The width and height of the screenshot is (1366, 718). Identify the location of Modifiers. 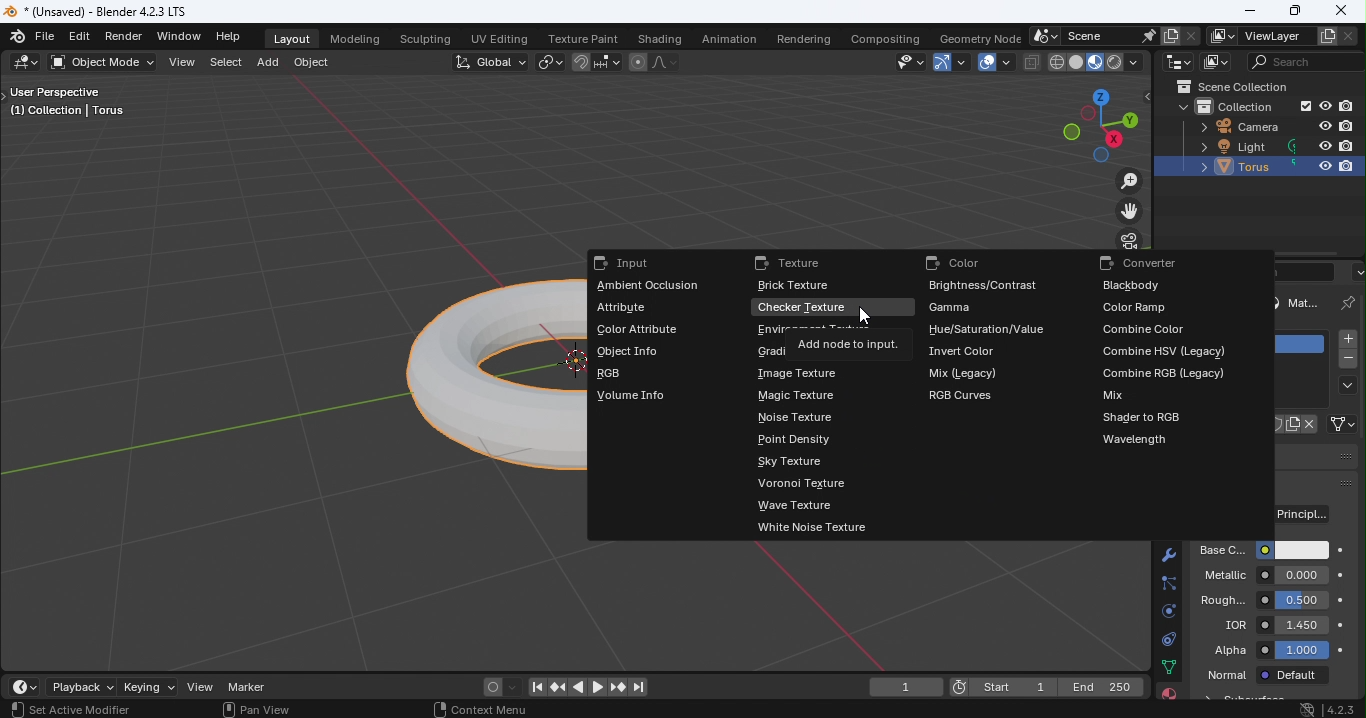
(1170, 555).